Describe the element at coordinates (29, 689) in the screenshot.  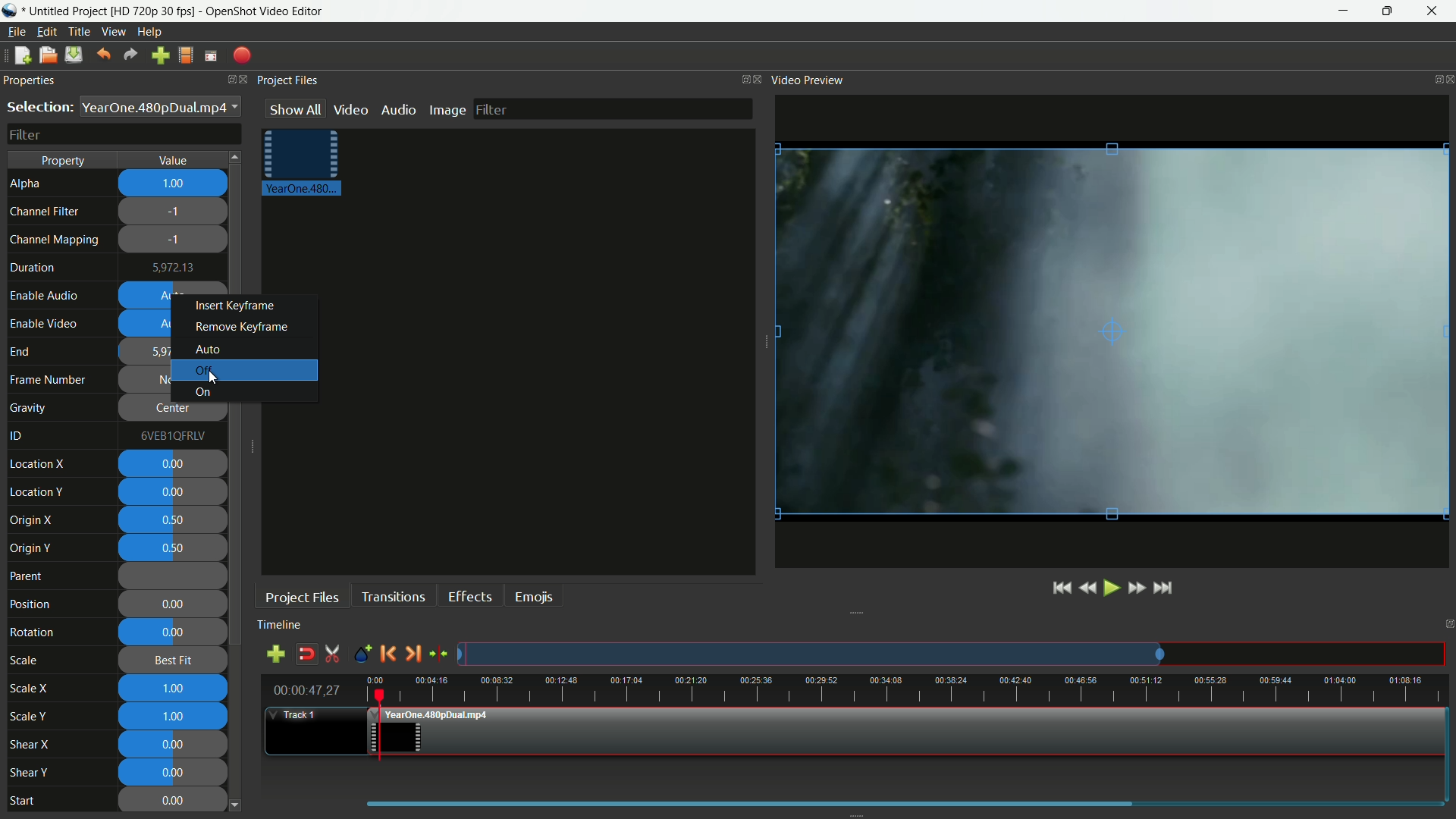
I see `scale x` at that location.